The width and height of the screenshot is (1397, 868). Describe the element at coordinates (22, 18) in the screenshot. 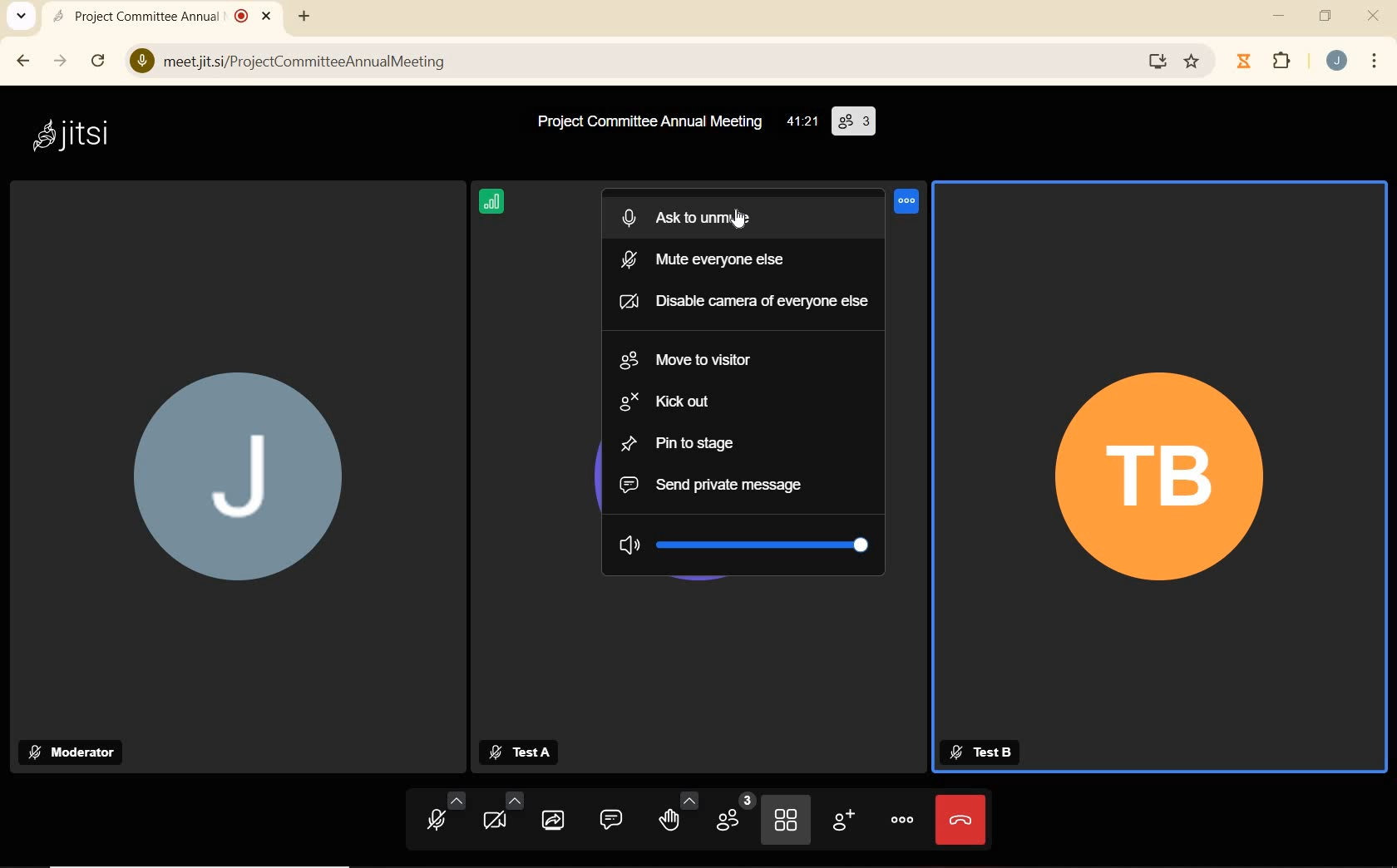

I see `SEARCH TAB` at that location.